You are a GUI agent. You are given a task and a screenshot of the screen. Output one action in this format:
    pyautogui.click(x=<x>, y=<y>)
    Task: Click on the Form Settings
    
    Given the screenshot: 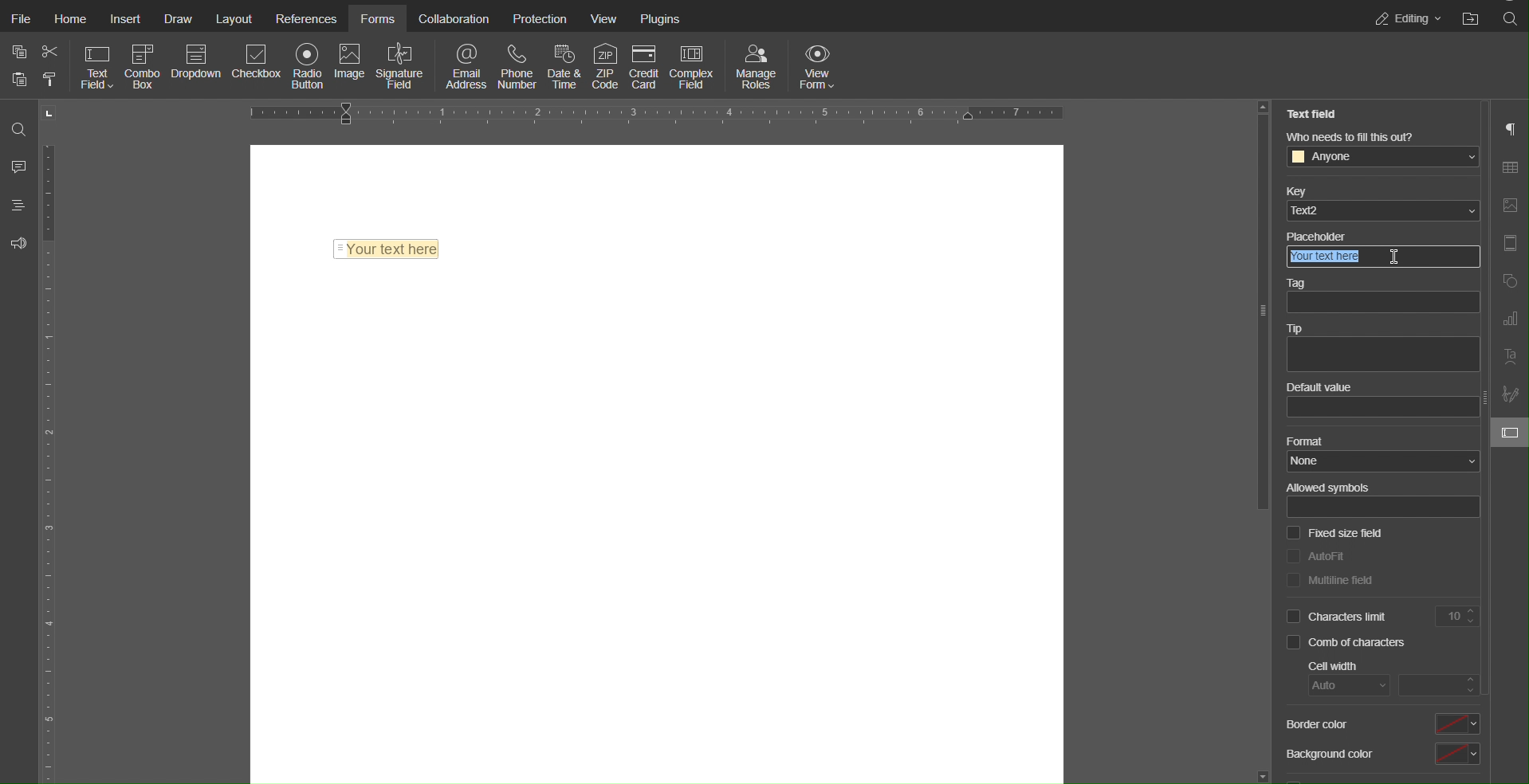 What is the action you would take?
    pyautogui.click(x=1511, y=436)
    